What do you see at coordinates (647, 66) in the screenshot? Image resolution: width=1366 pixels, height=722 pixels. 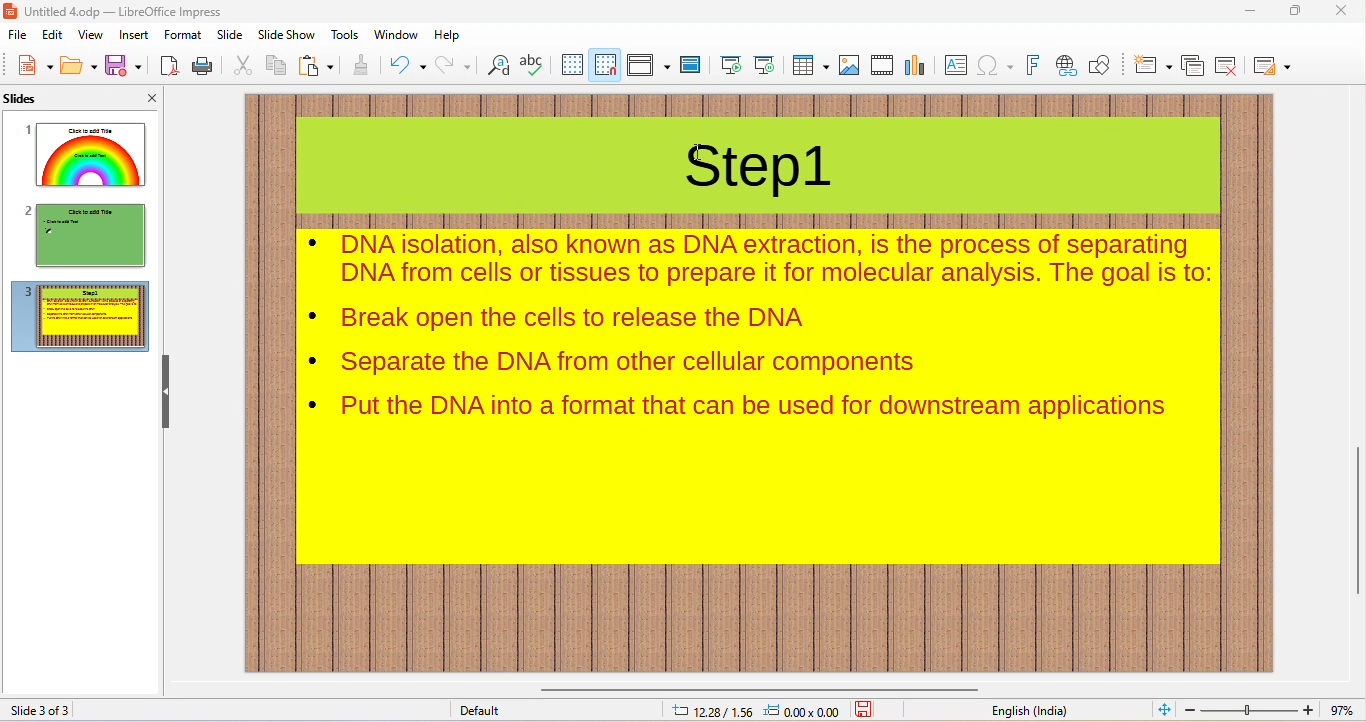 I see `display views` at bounding box center [647, 66].